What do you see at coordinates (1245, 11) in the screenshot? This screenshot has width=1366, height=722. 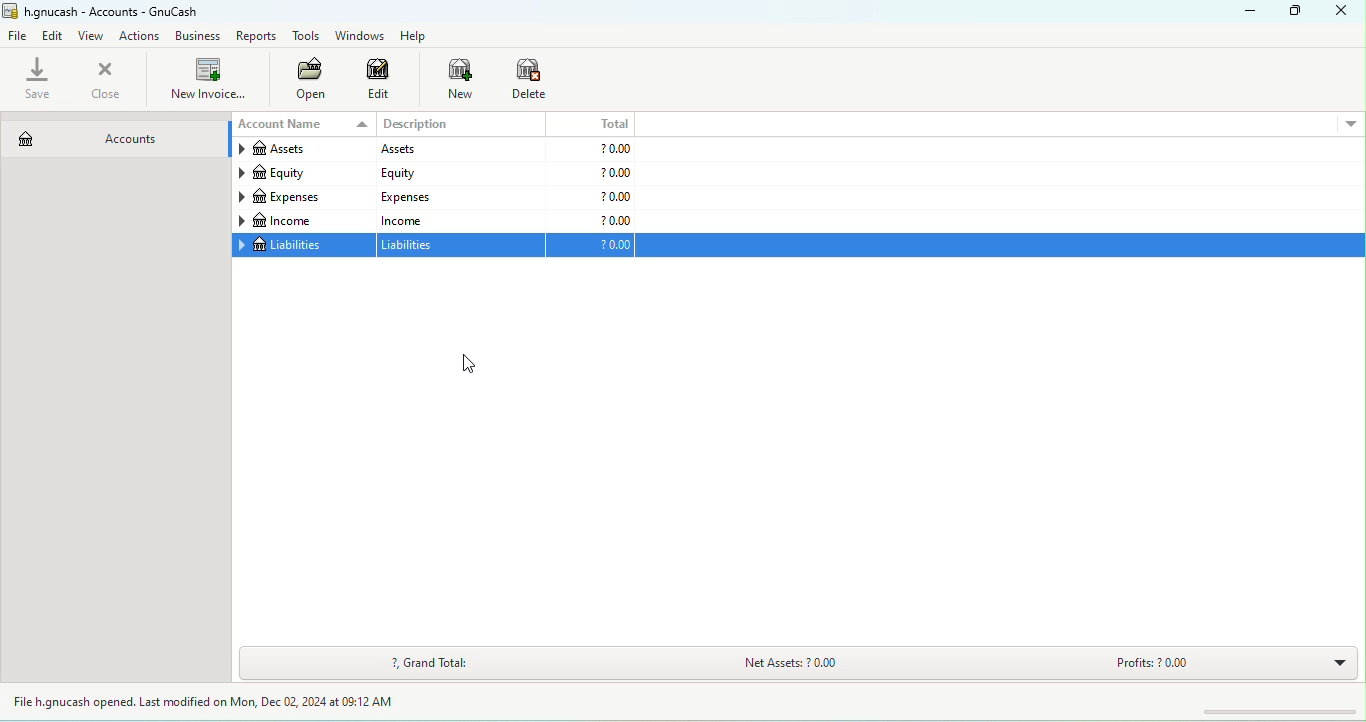 I see `minimize` at bounding box center [1245, 11].